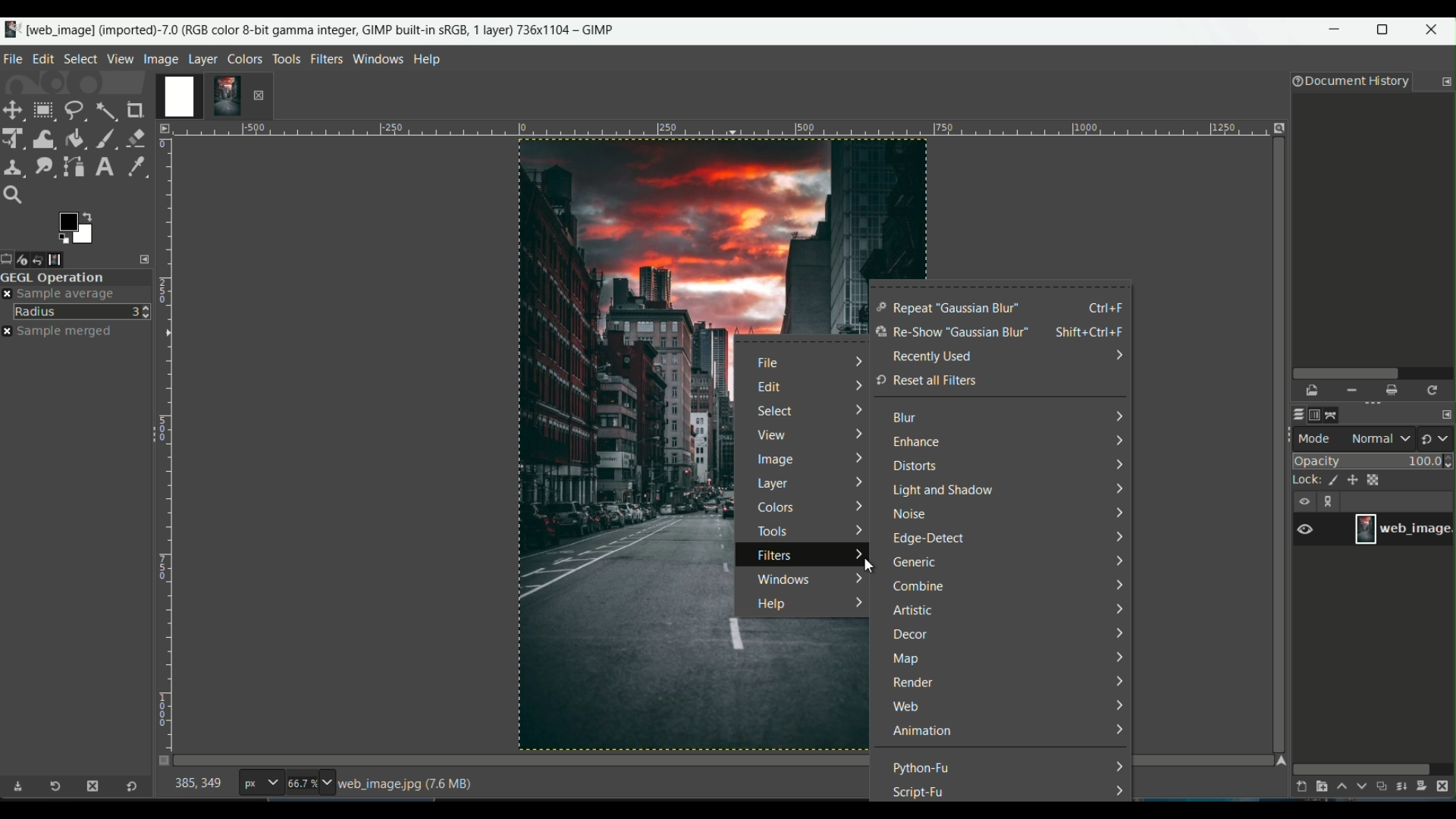 Image resolution: width=1456 pixels, height=819 pixels. Describe the element at coordinates (1362, 767) in the screenshot. I see `scroll bar` at that location.